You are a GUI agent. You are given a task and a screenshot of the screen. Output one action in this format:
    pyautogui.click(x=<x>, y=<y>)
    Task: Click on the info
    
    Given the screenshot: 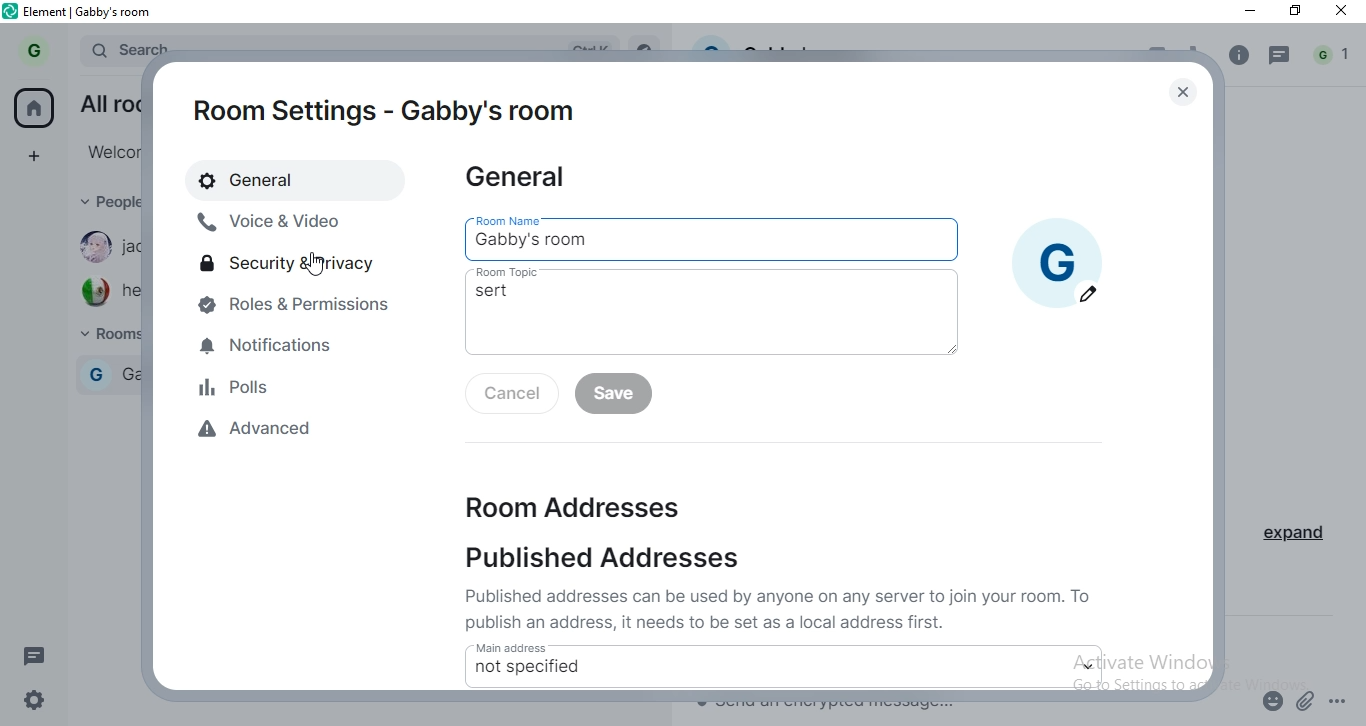 What is the action you would take?
    pyautogui.click(x=1237, y=56)
    